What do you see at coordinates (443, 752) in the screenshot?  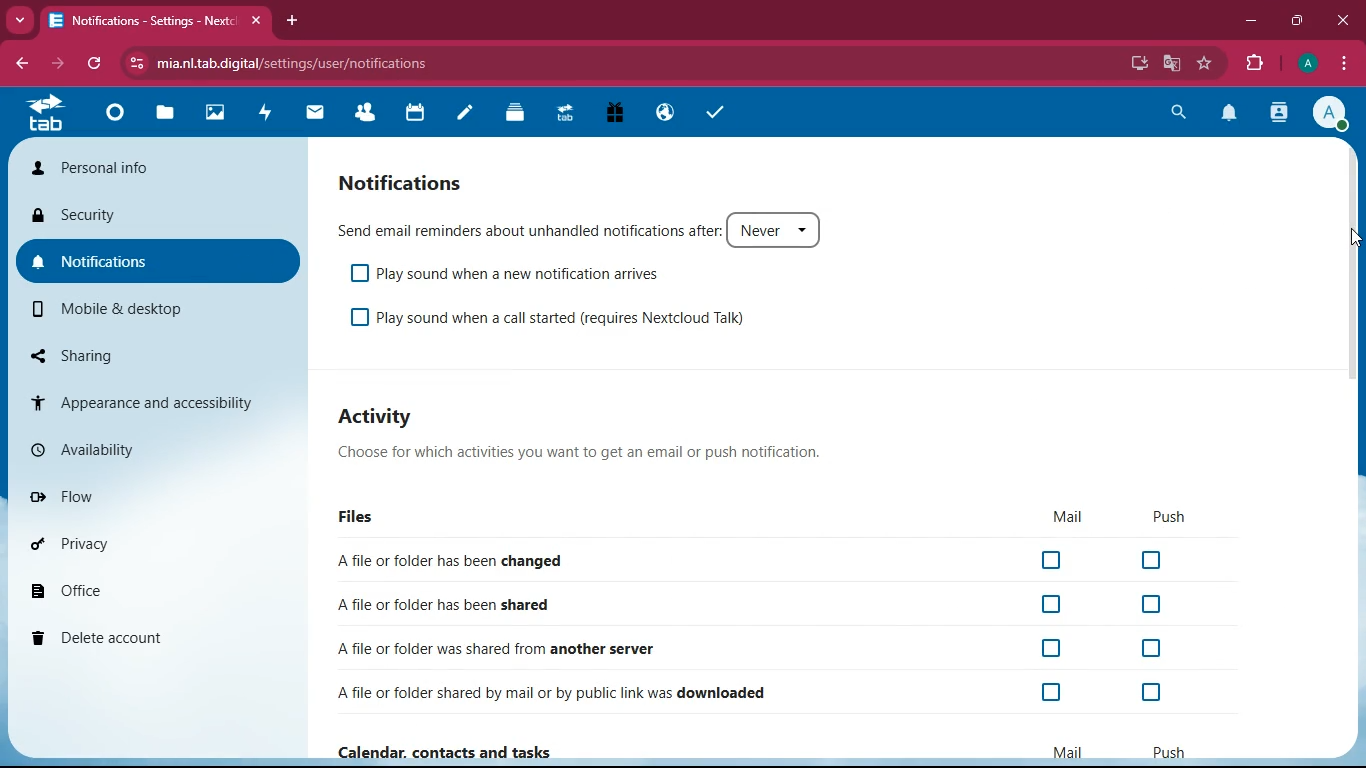 I see `Calender. contacts and tasks` at bounding box center [443, 752].